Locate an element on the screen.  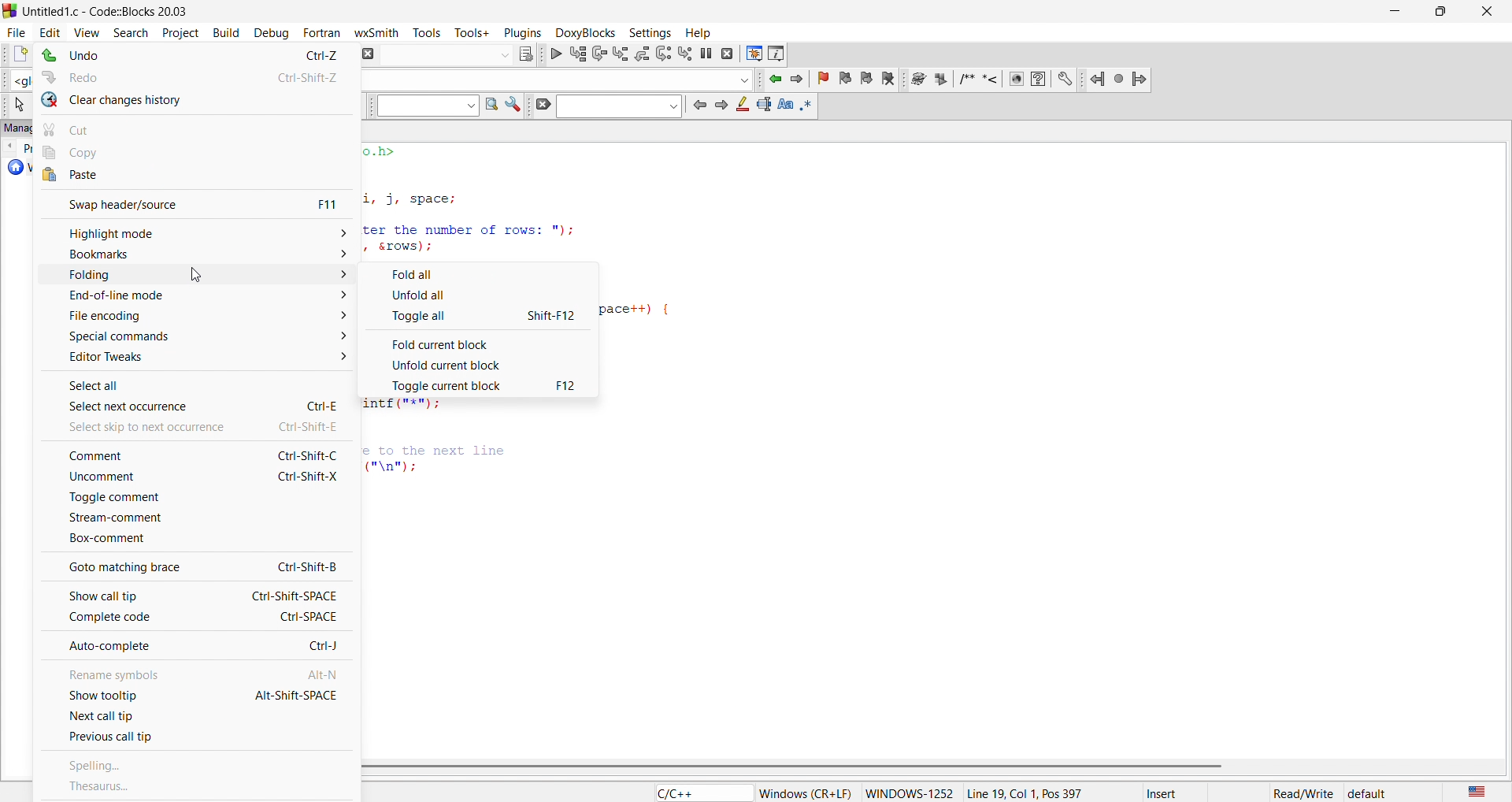
redo is located at coordinates (198, 74).